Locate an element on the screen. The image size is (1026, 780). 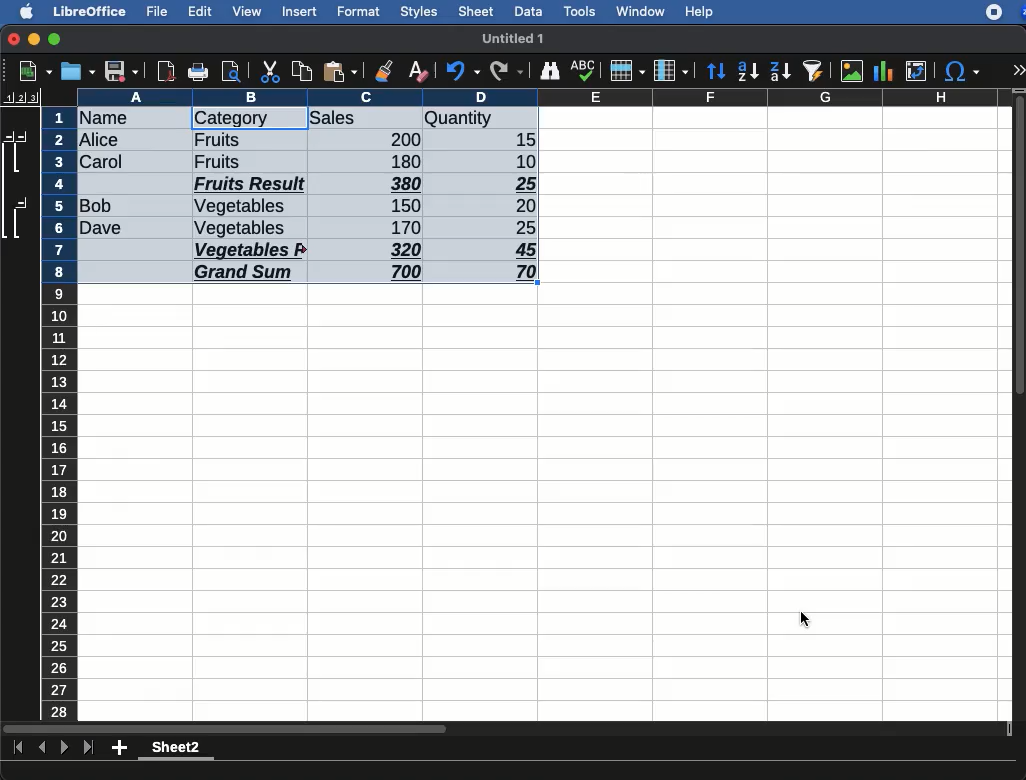
sales is located at coordinates (334, 119).